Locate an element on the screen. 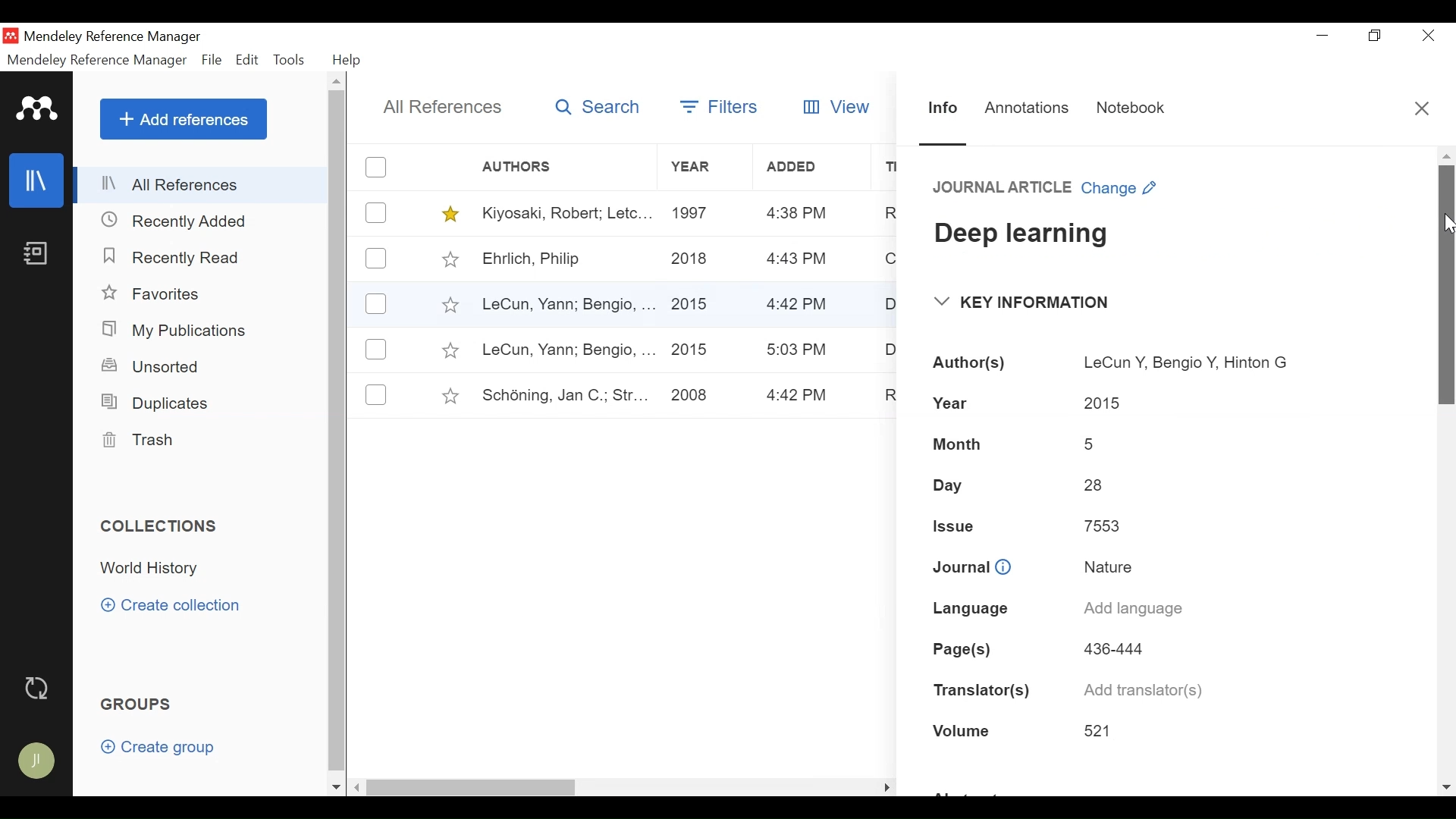 The width and height of the screenshot is (1456, 819). (un)select is located at coordinates (376, 394).